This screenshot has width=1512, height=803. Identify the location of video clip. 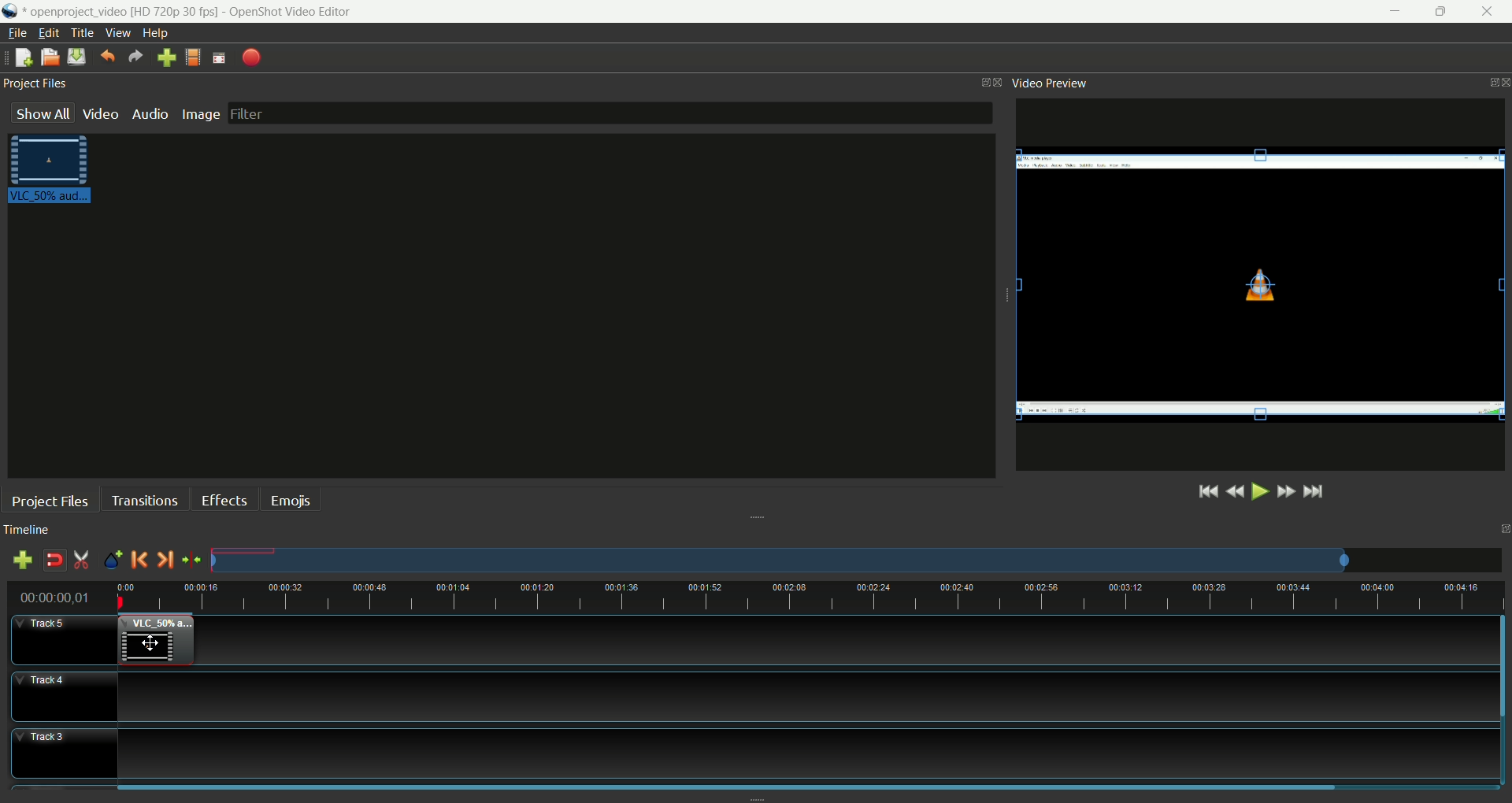
(155, 640).